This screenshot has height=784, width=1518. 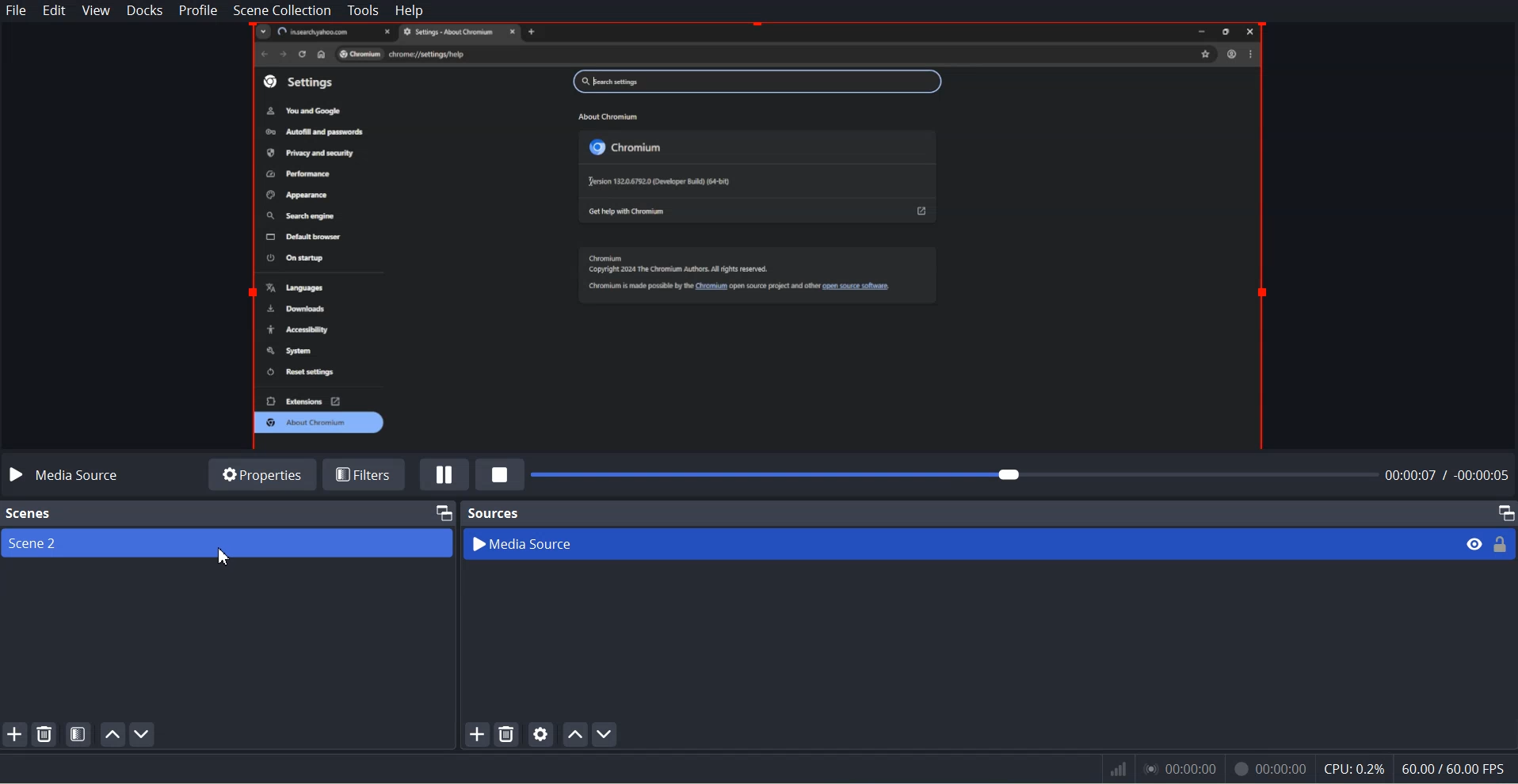 What do you see at coordinates (492, 513) in the screenshot?
I see `Sources` at bounding box center [492, 513].